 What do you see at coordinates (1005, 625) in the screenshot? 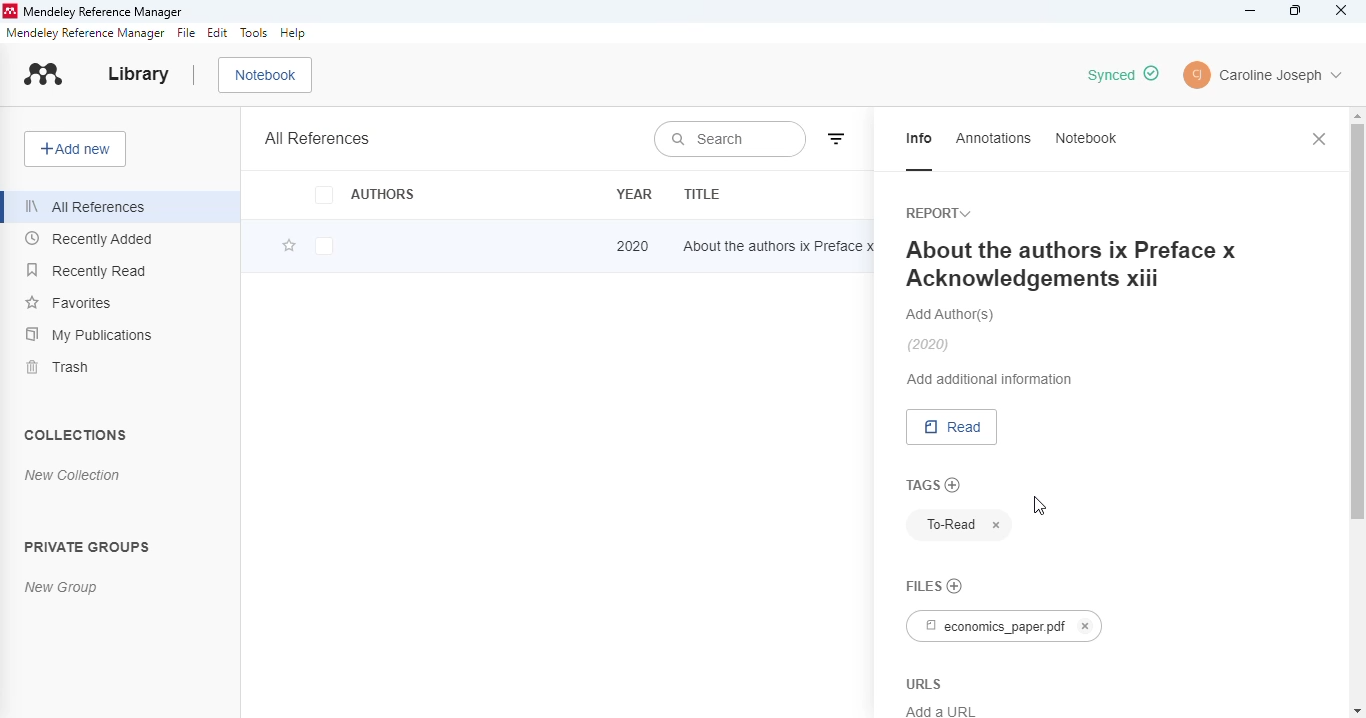
I see `economics_paper.pdf` at bounding box center [1005, 625].